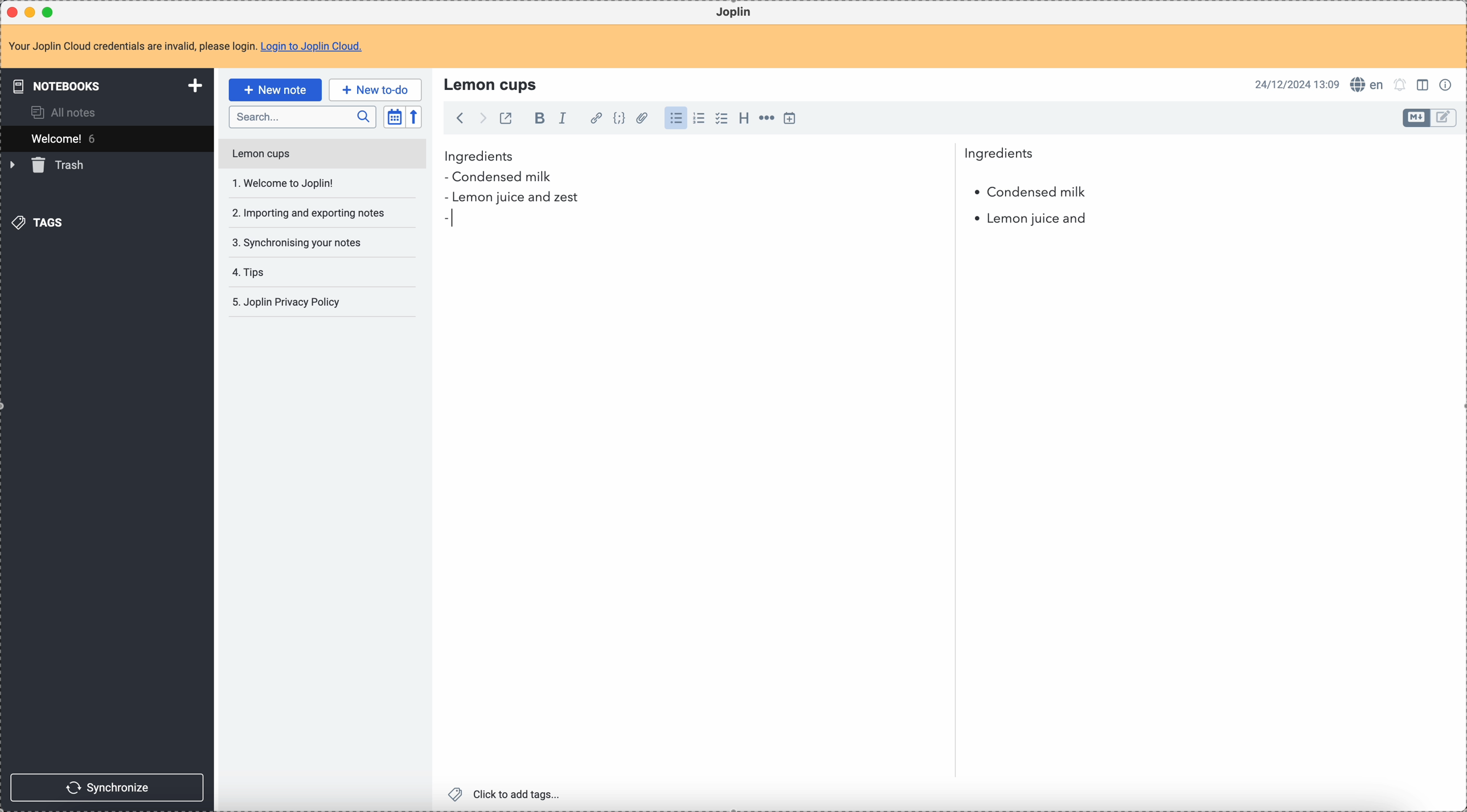 Image resolution: width=1467 pixels, height=812 pixels. Describe the element at coordinates (1370, 84) in the screenshot. I see `spell checker` at that location.